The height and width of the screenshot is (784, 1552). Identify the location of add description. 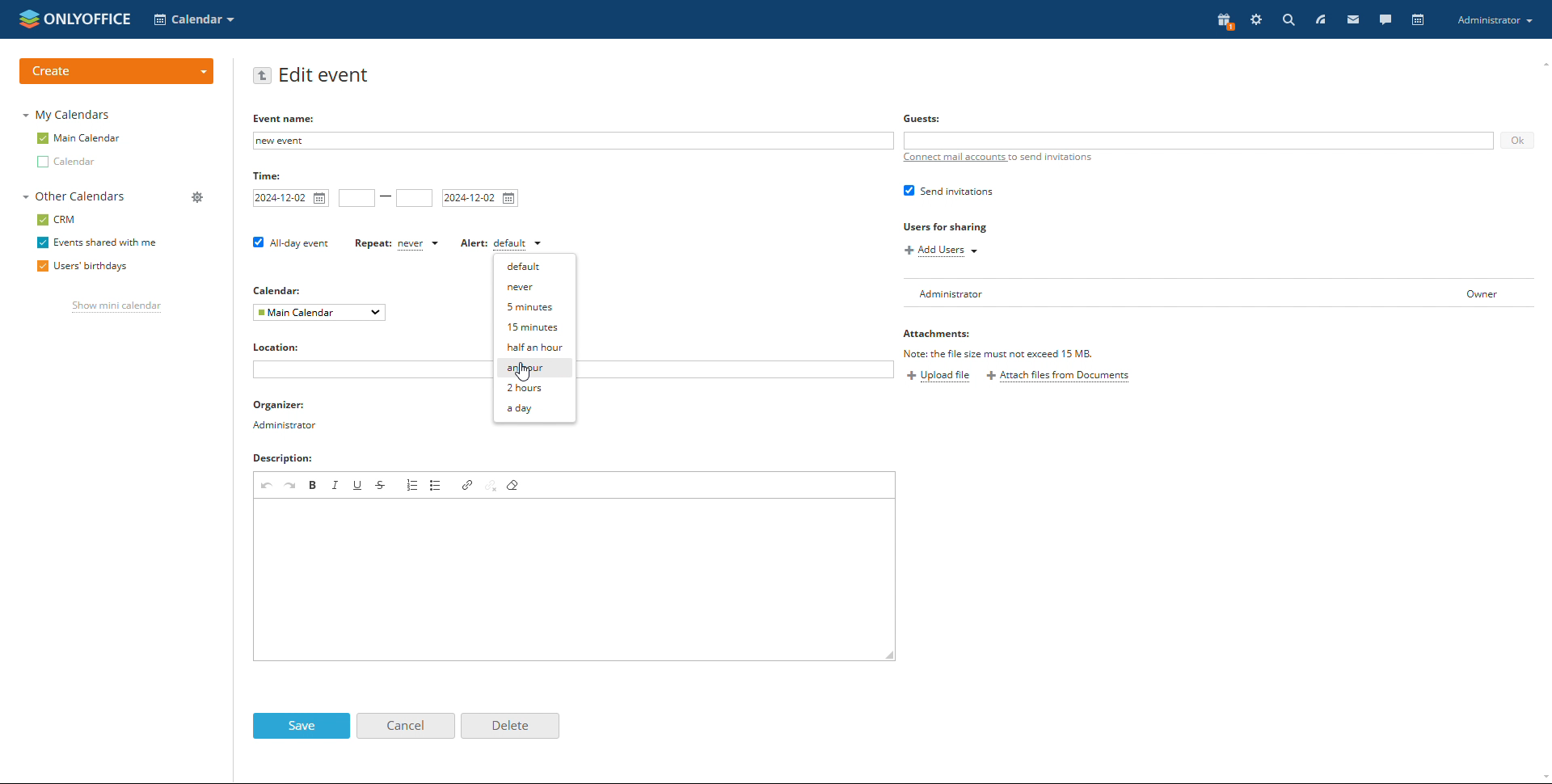
(568, 580).